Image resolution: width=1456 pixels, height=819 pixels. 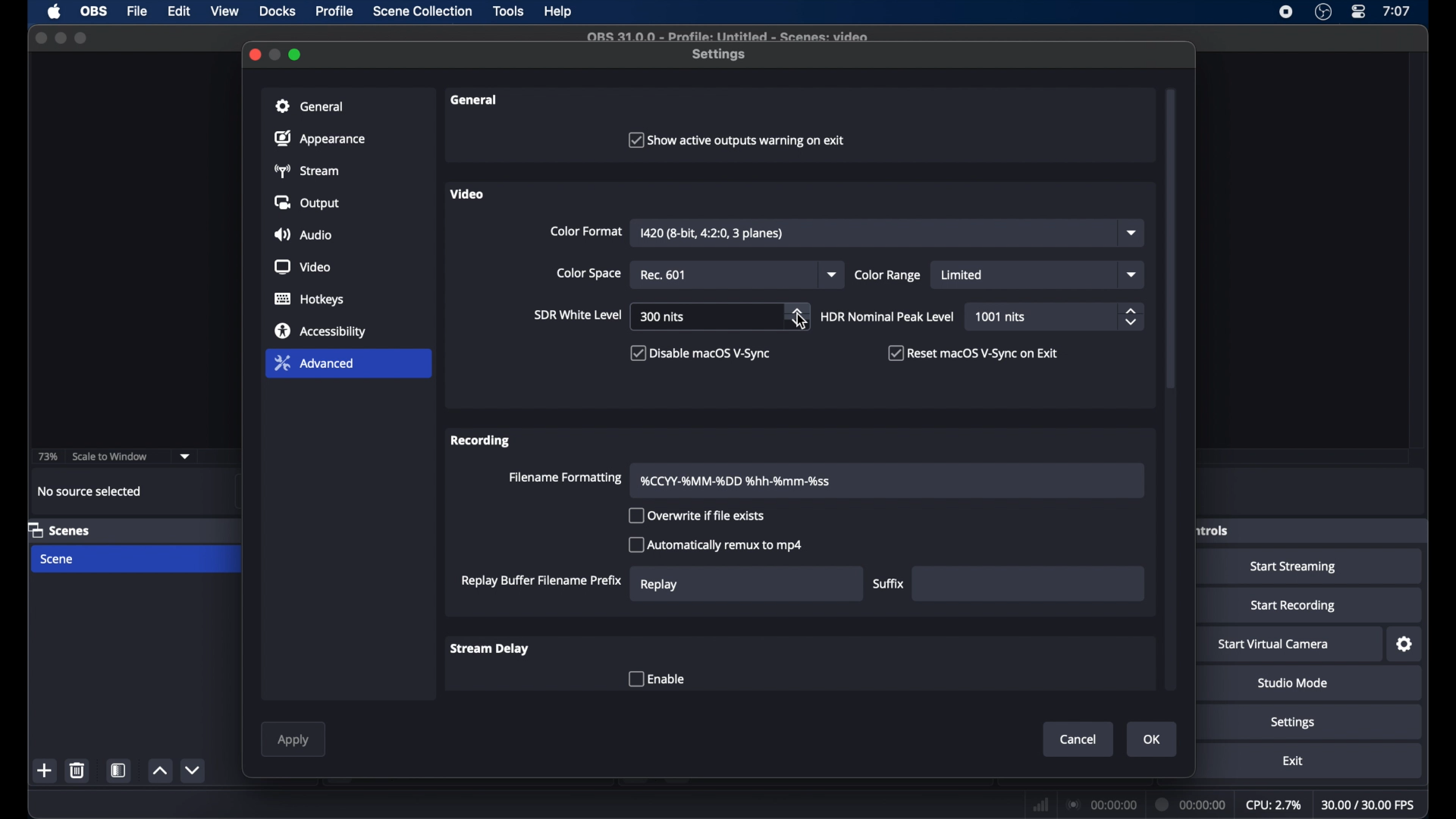 What do you see at coordinates (887, 317) in the screenshot?
I see `HDR nominal peak level` at bounding box center [887, 317].